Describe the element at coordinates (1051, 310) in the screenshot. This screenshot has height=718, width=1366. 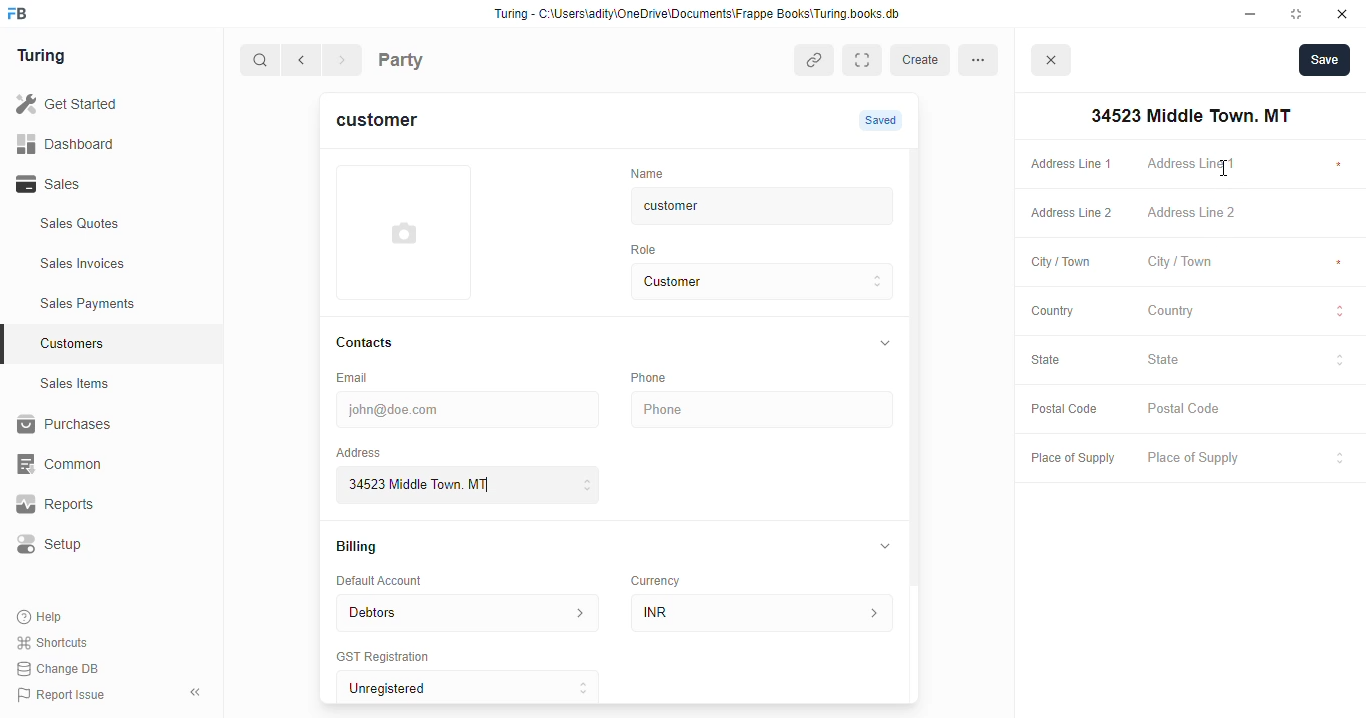
I see `Country` at that location.